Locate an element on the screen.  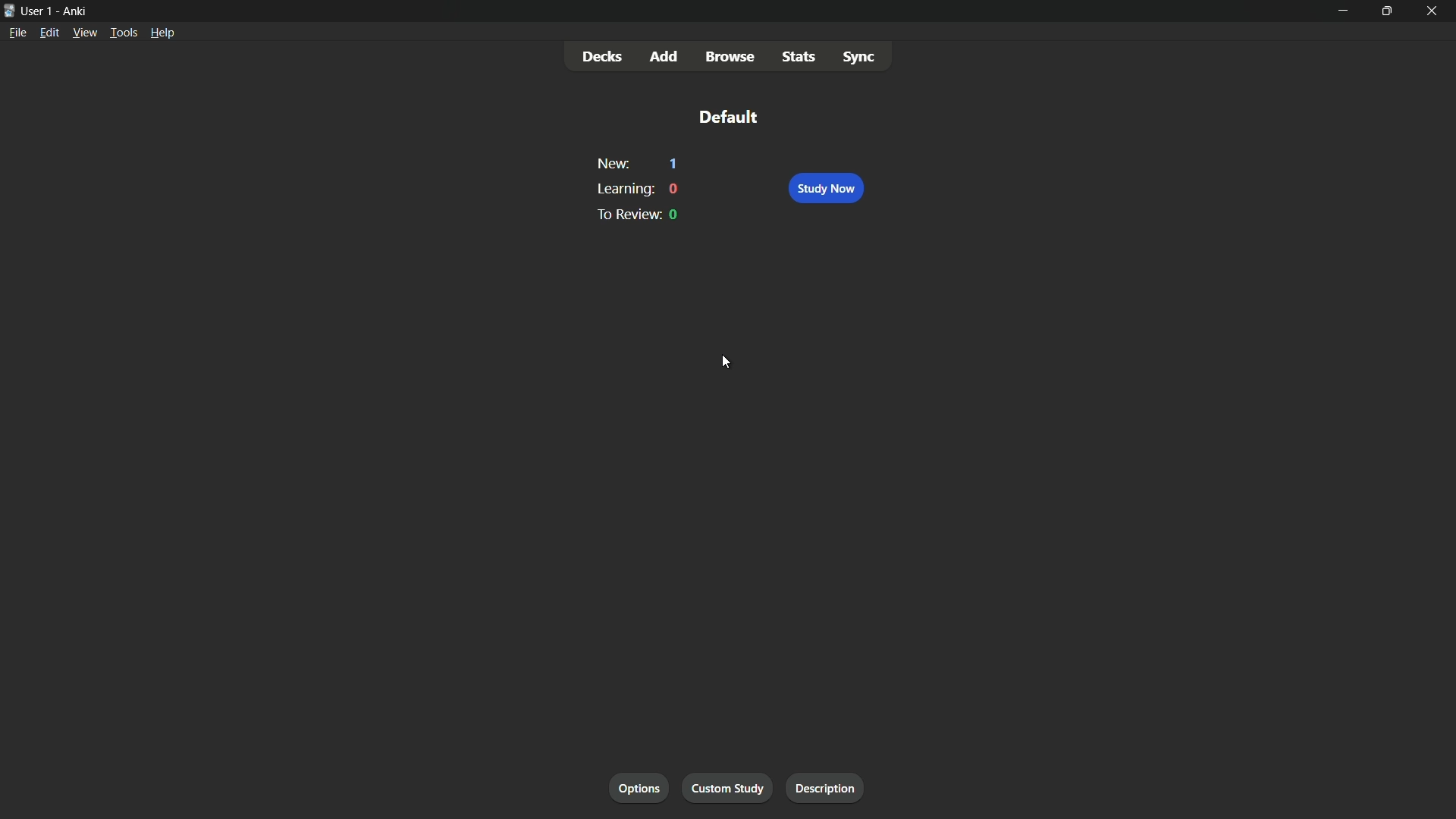
close app is located at coordinates (1434, 11).